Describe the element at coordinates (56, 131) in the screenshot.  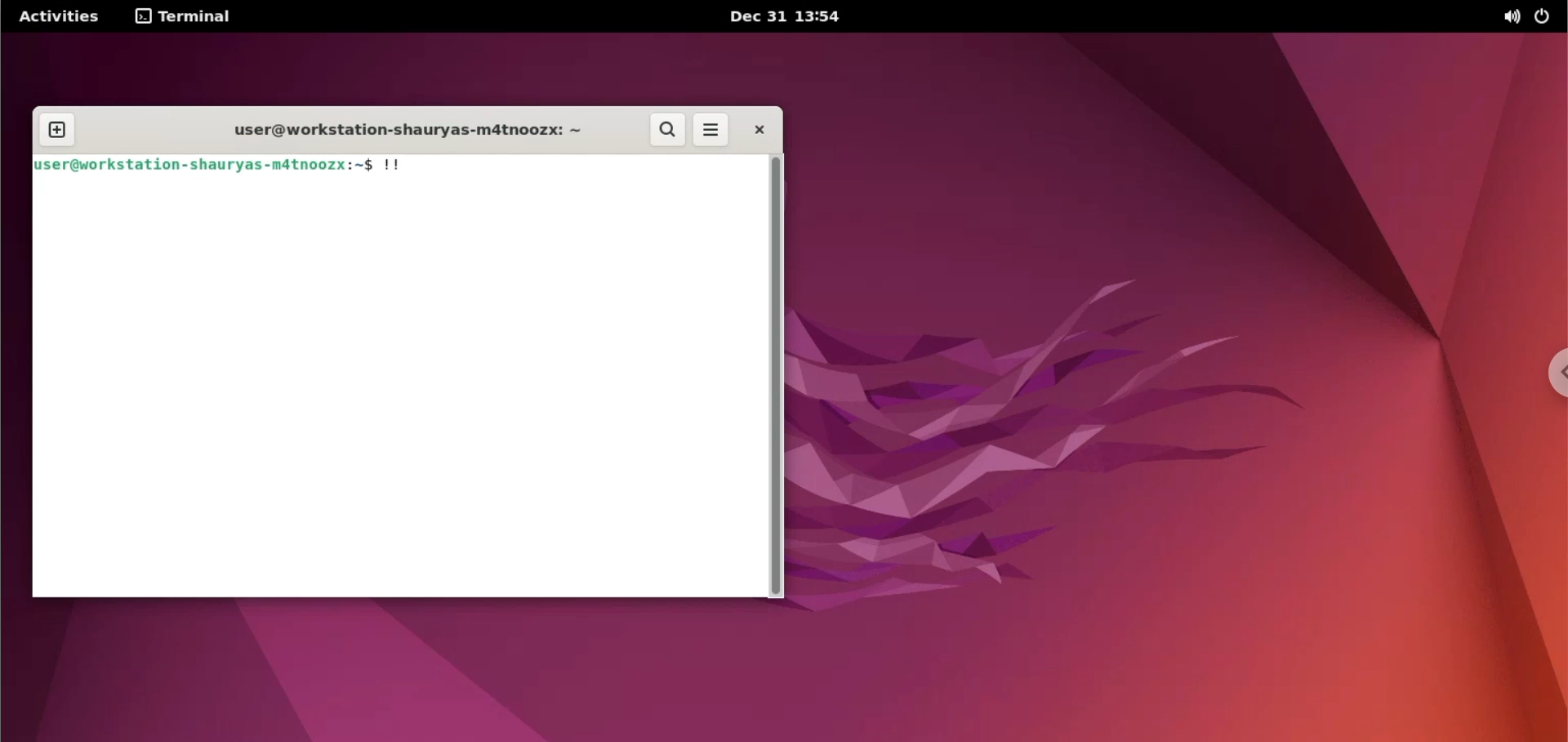
I see `new tab` at that location.